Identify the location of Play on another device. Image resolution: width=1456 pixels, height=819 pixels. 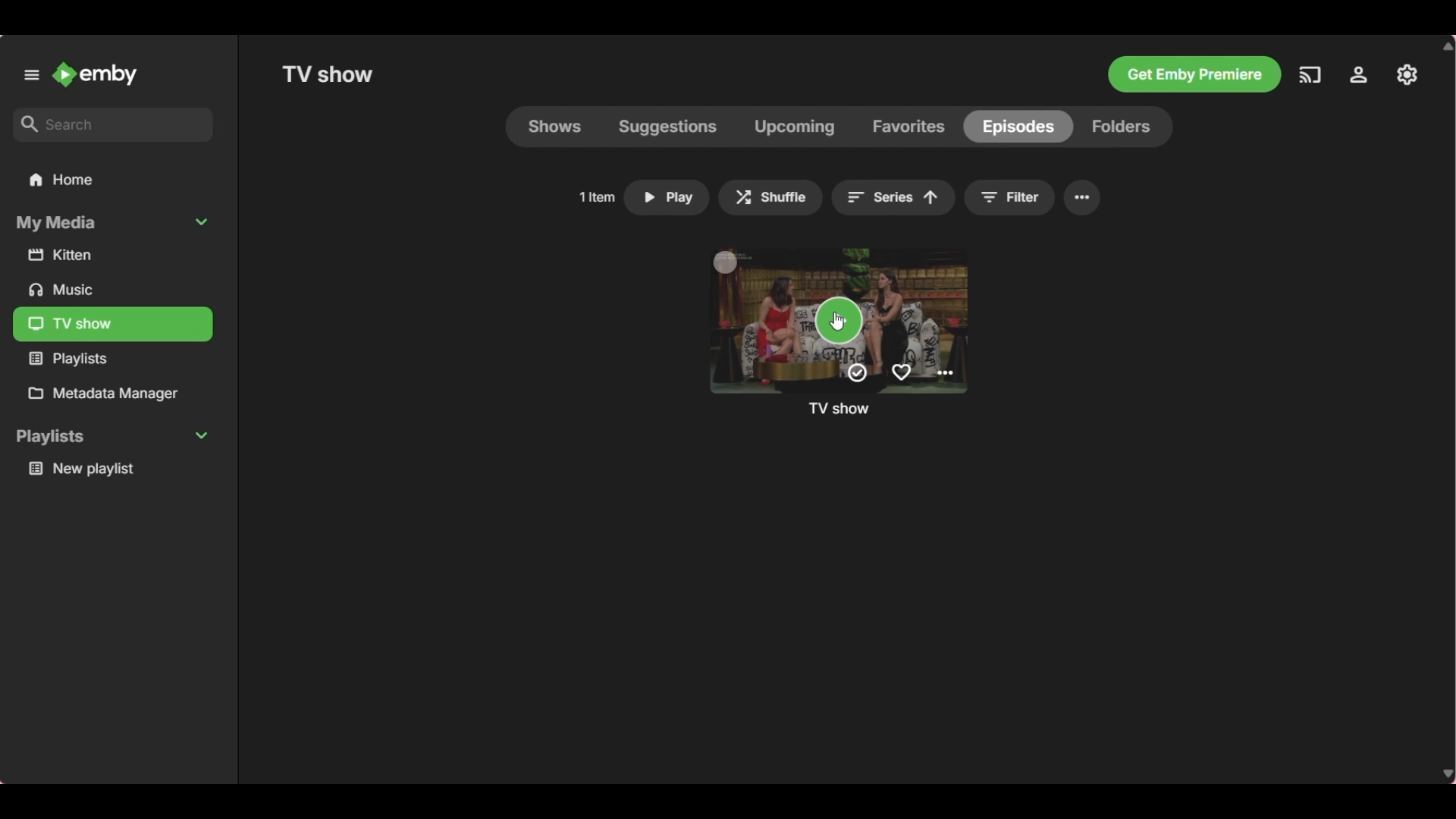
(1310, 75).